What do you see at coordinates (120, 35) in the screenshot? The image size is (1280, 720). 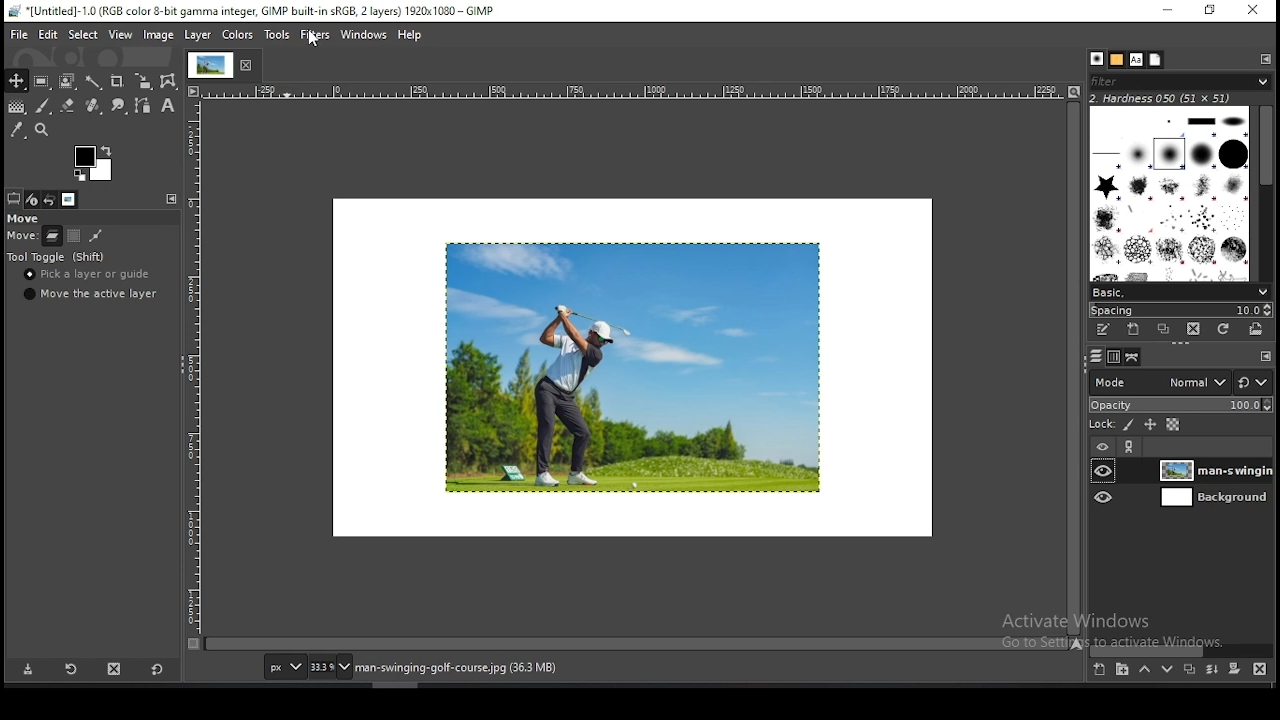 I see `view` at bounding box center [120, 35].